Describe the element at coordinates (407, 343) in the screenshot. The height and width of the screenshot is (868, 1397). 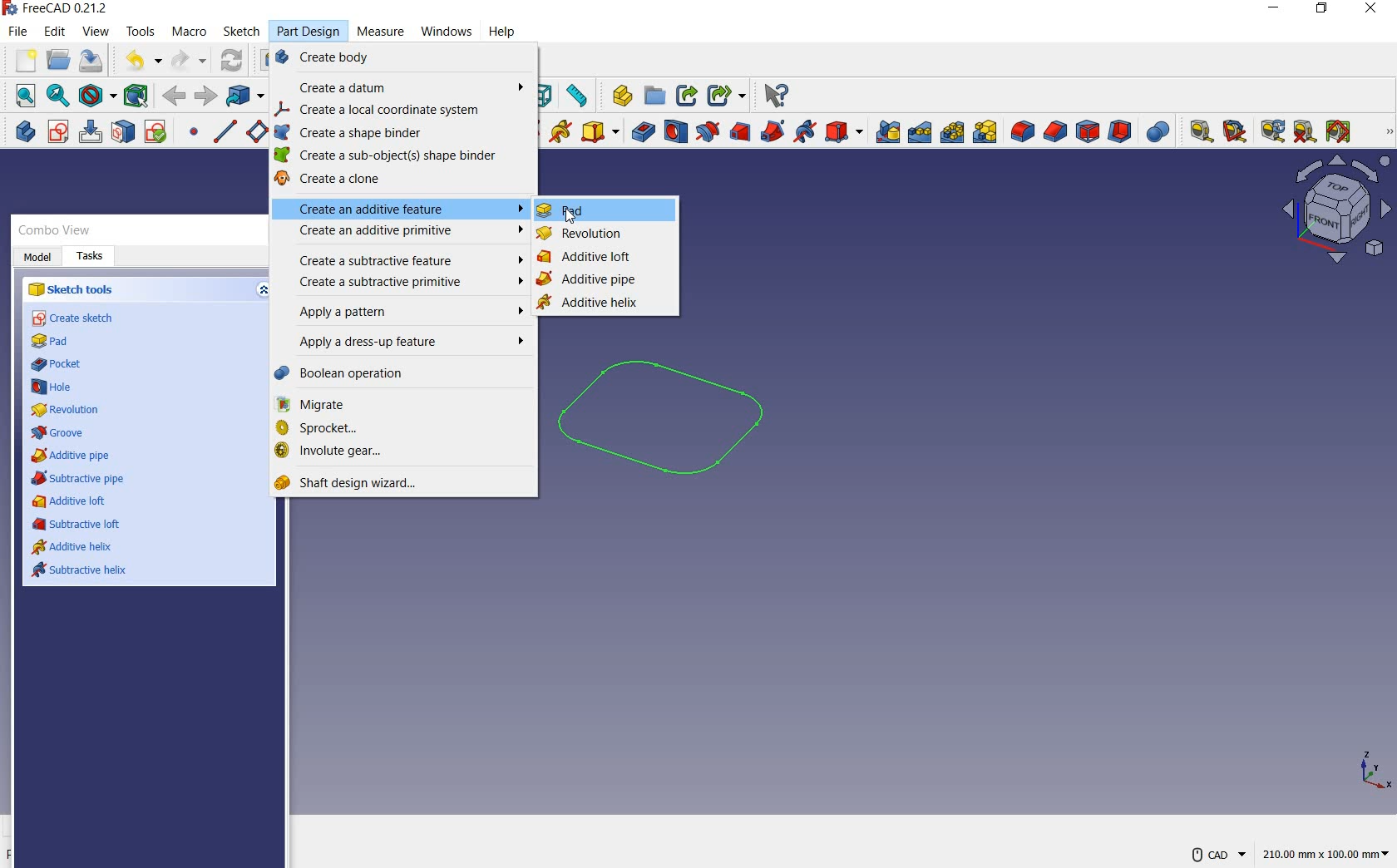
I see `apply a dress-up-feature` at that location.